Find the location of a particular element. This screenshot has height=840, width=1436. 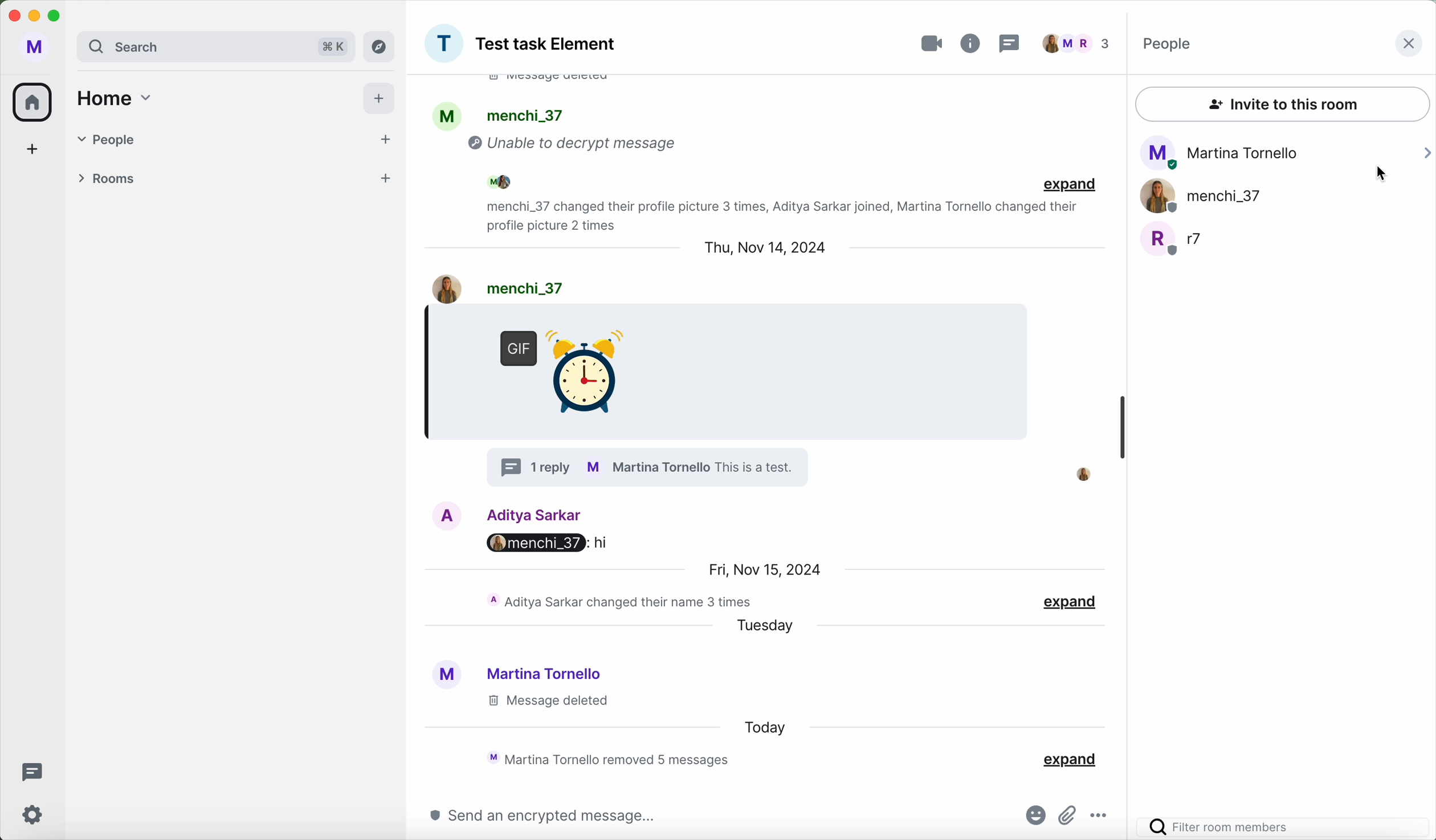

people is located at coordinates (206, 137).